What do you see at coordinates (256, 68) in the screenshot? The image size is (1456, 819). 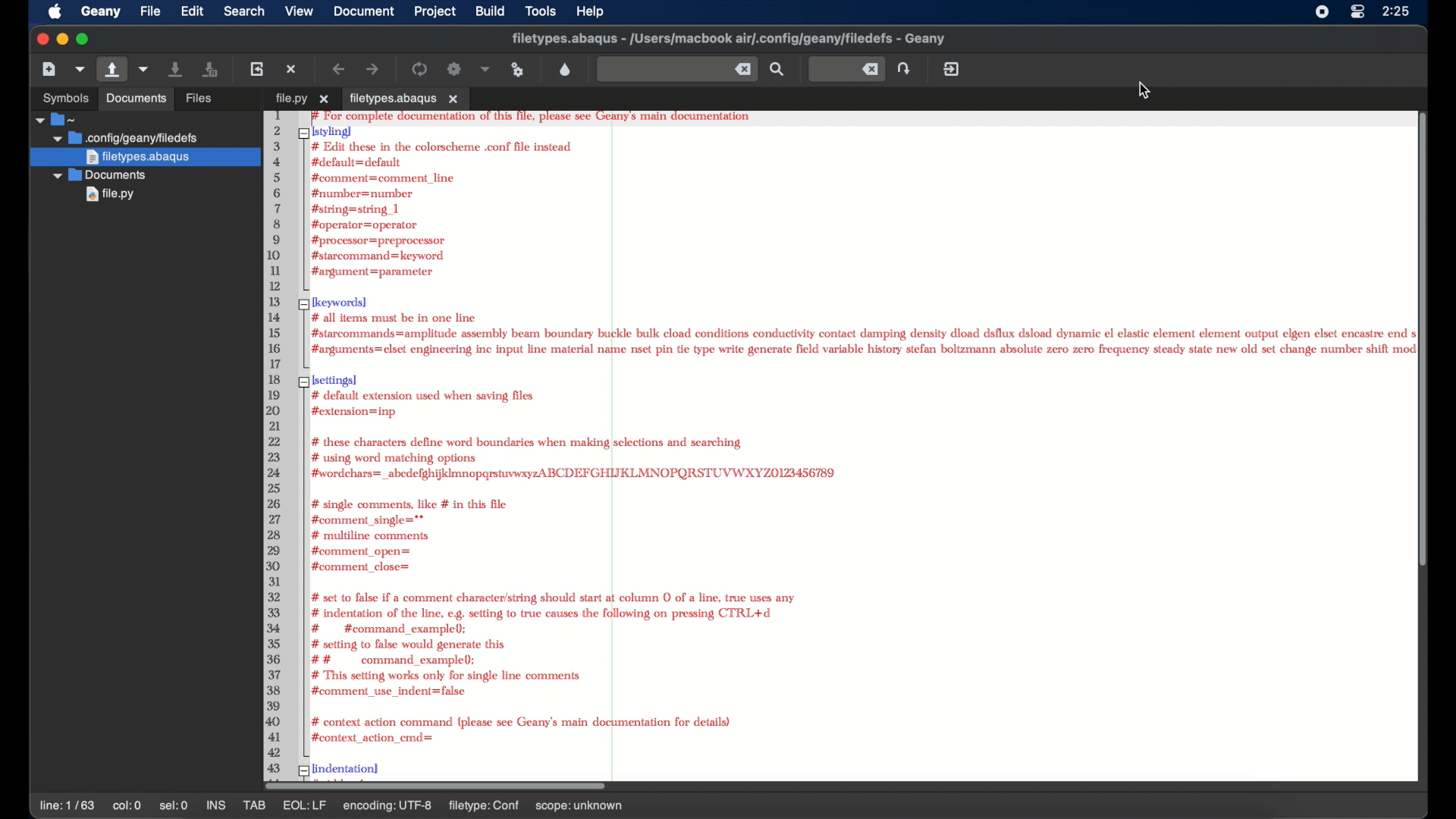 I see `reload current file from disk` at bounding box center [256, 68].